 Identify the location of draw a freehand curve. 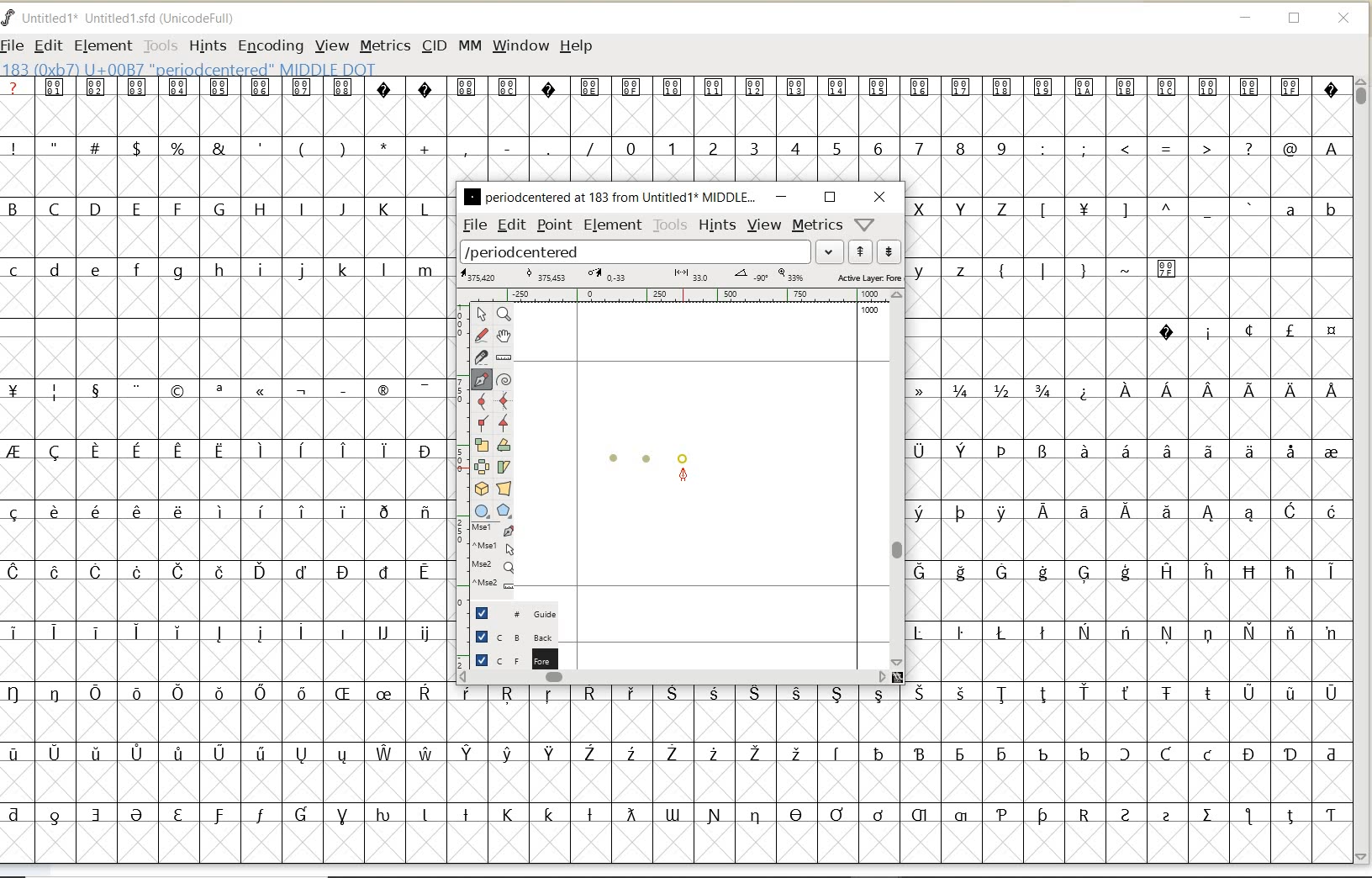
(481, 333).